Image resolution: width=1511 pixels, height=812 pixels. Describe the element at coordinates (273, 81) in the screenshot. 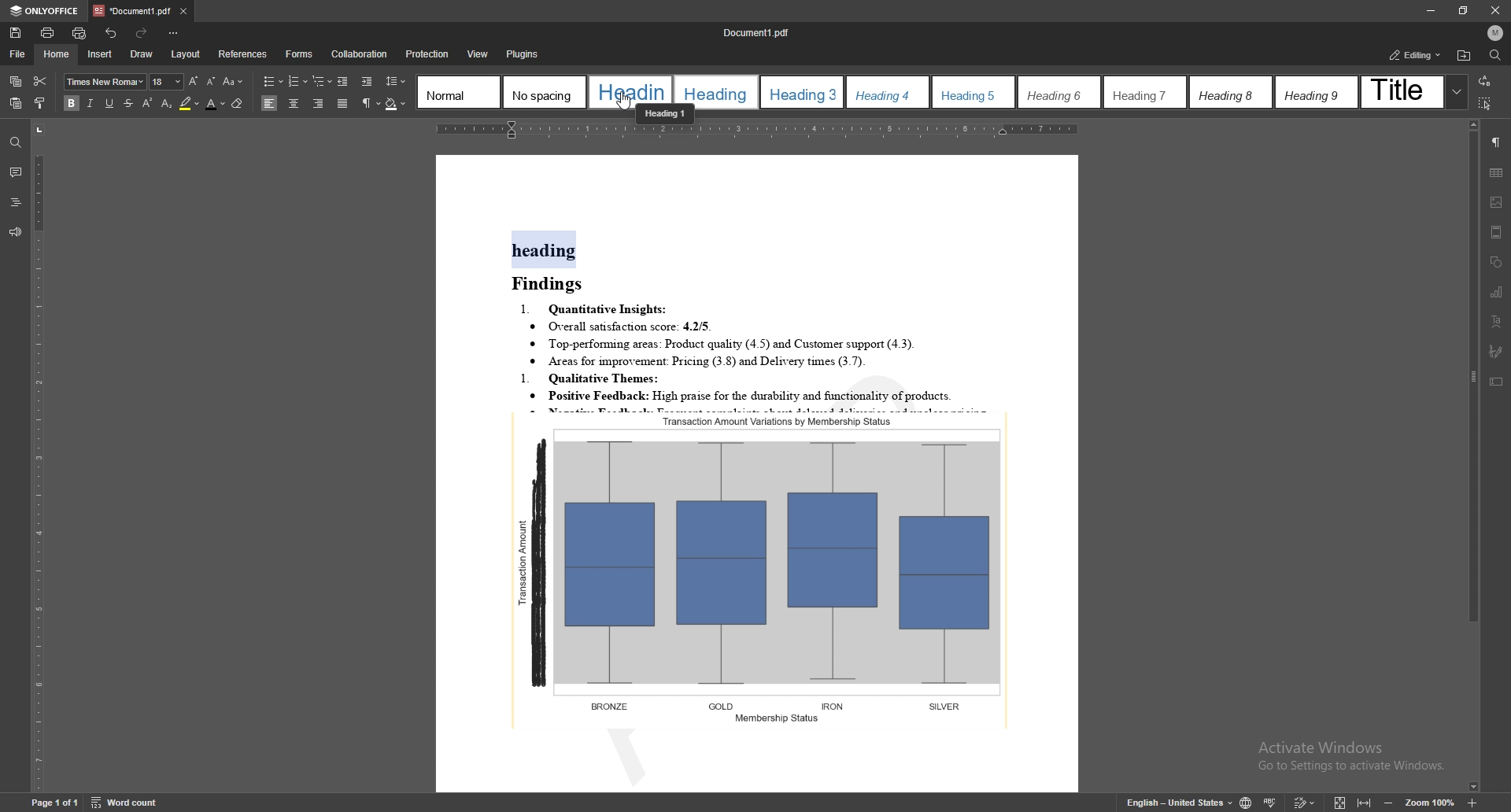

I see `bullets` at that location.